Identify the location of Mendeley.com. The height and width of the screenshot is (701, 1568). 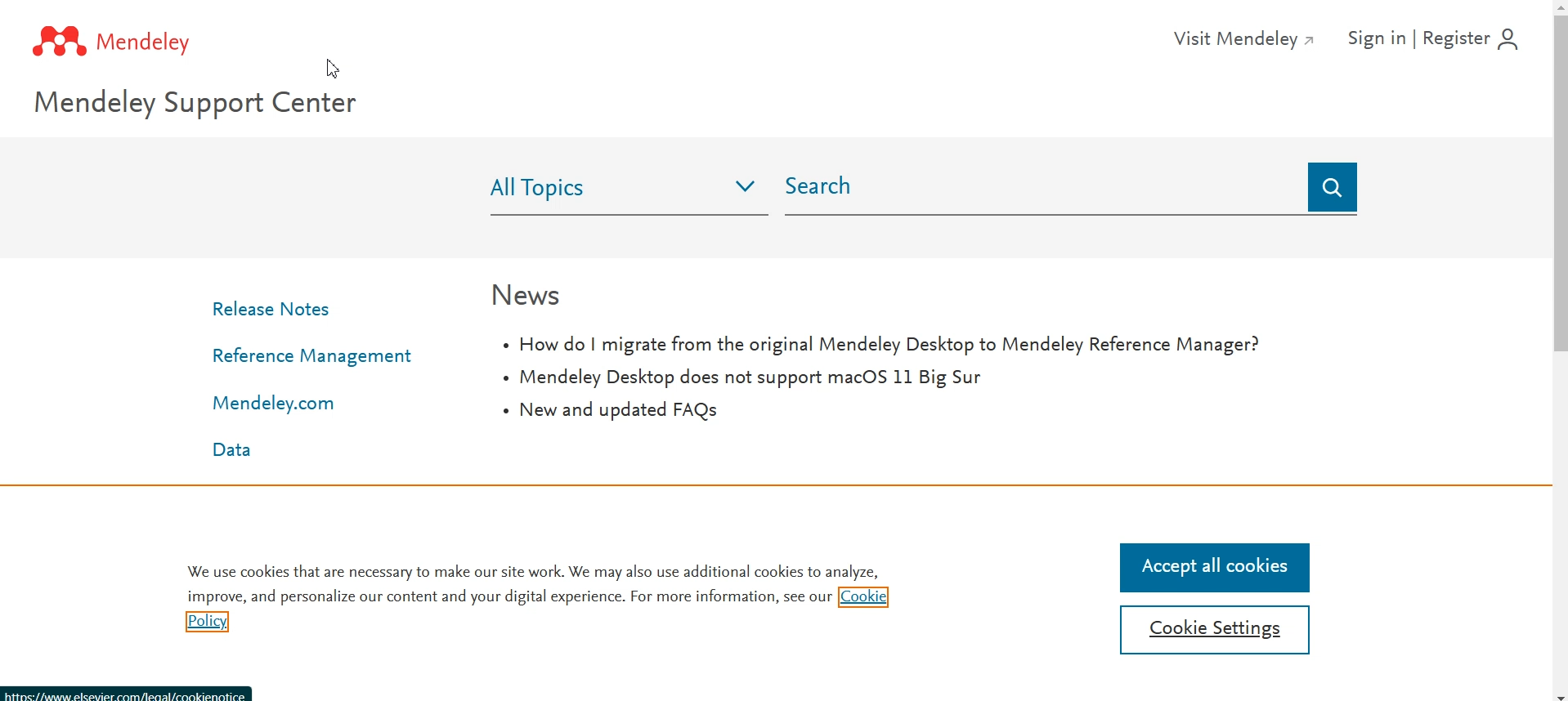
(271, 404).